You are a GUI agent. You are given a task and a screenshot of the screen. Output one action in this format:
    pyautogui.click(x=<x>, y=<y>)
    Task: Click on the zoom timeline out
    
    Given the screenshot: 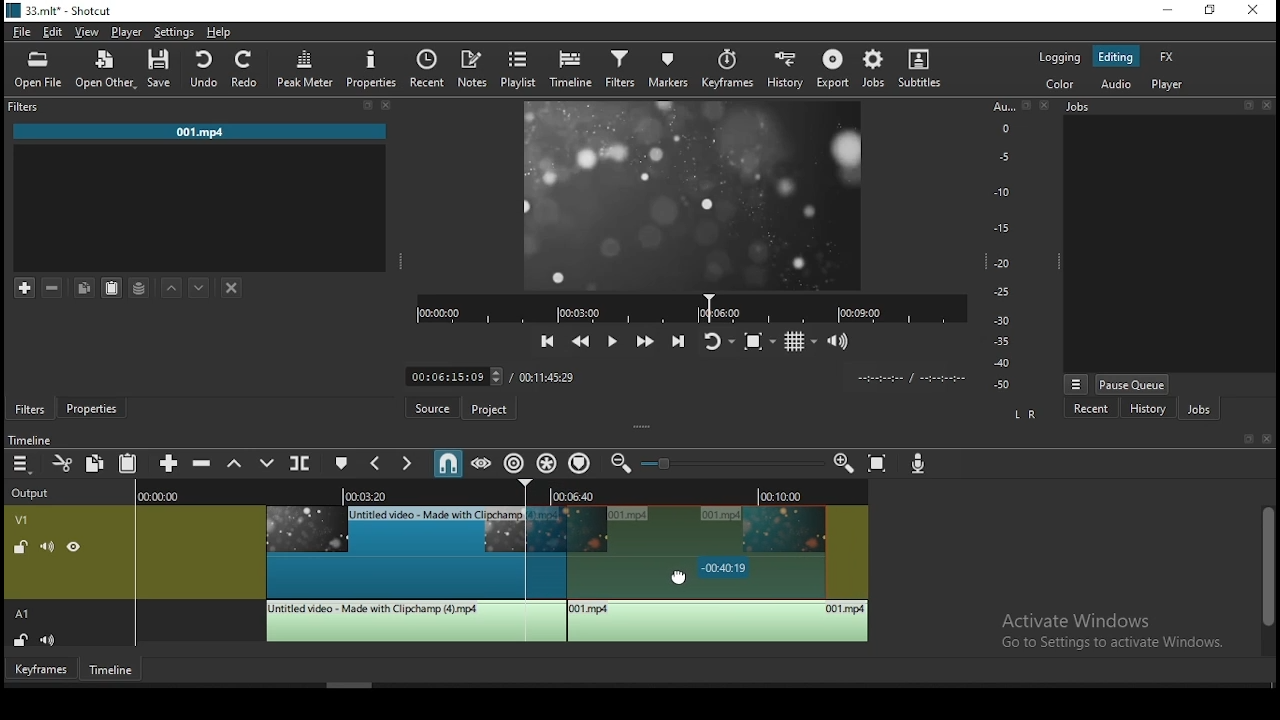 What is the action you would take?
    pyautogui.click(x=619, y=467)
    